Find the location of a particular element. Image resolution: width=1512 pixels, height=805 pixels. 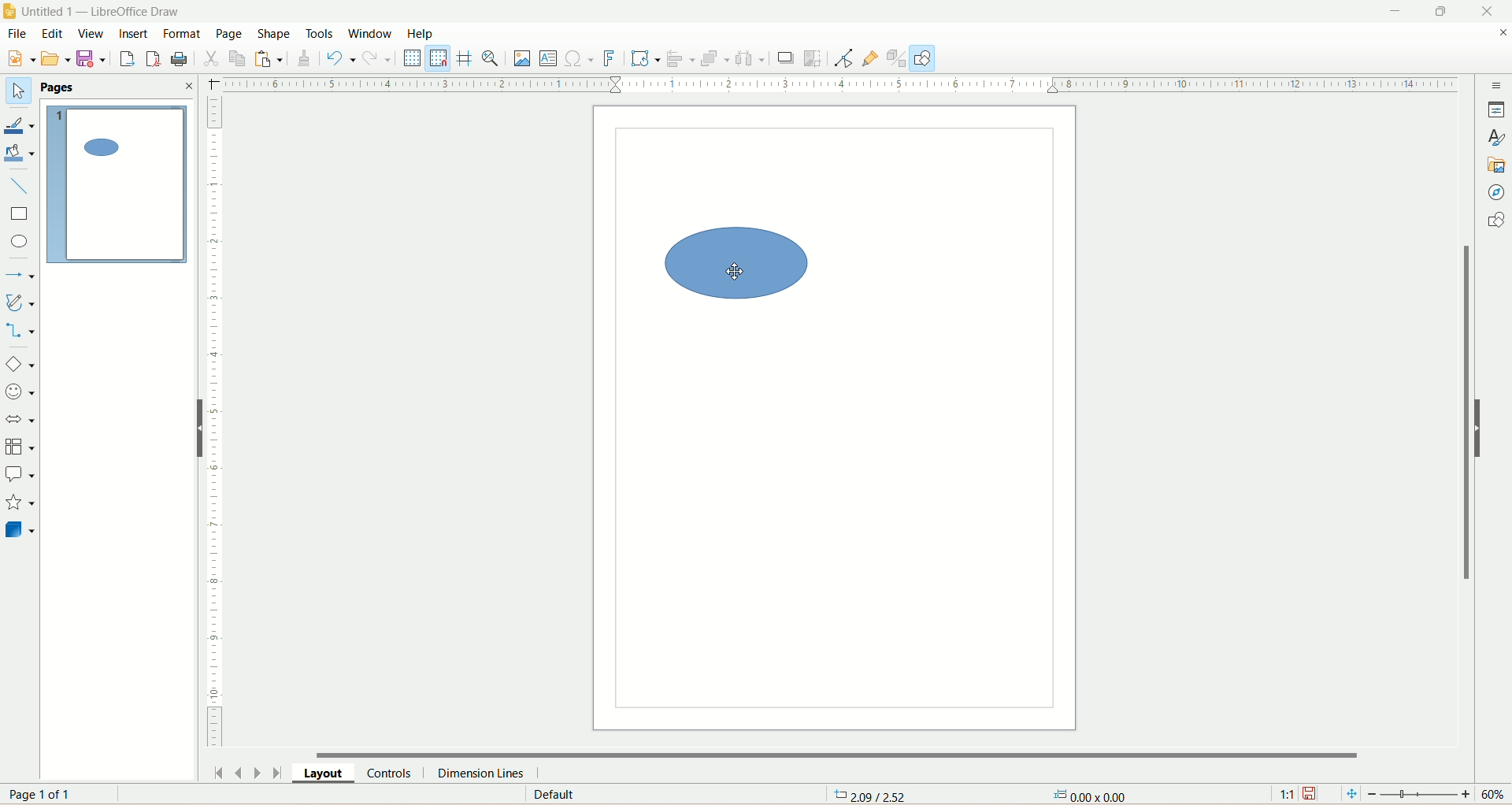

scale bar is located at coordinates (215, 423).